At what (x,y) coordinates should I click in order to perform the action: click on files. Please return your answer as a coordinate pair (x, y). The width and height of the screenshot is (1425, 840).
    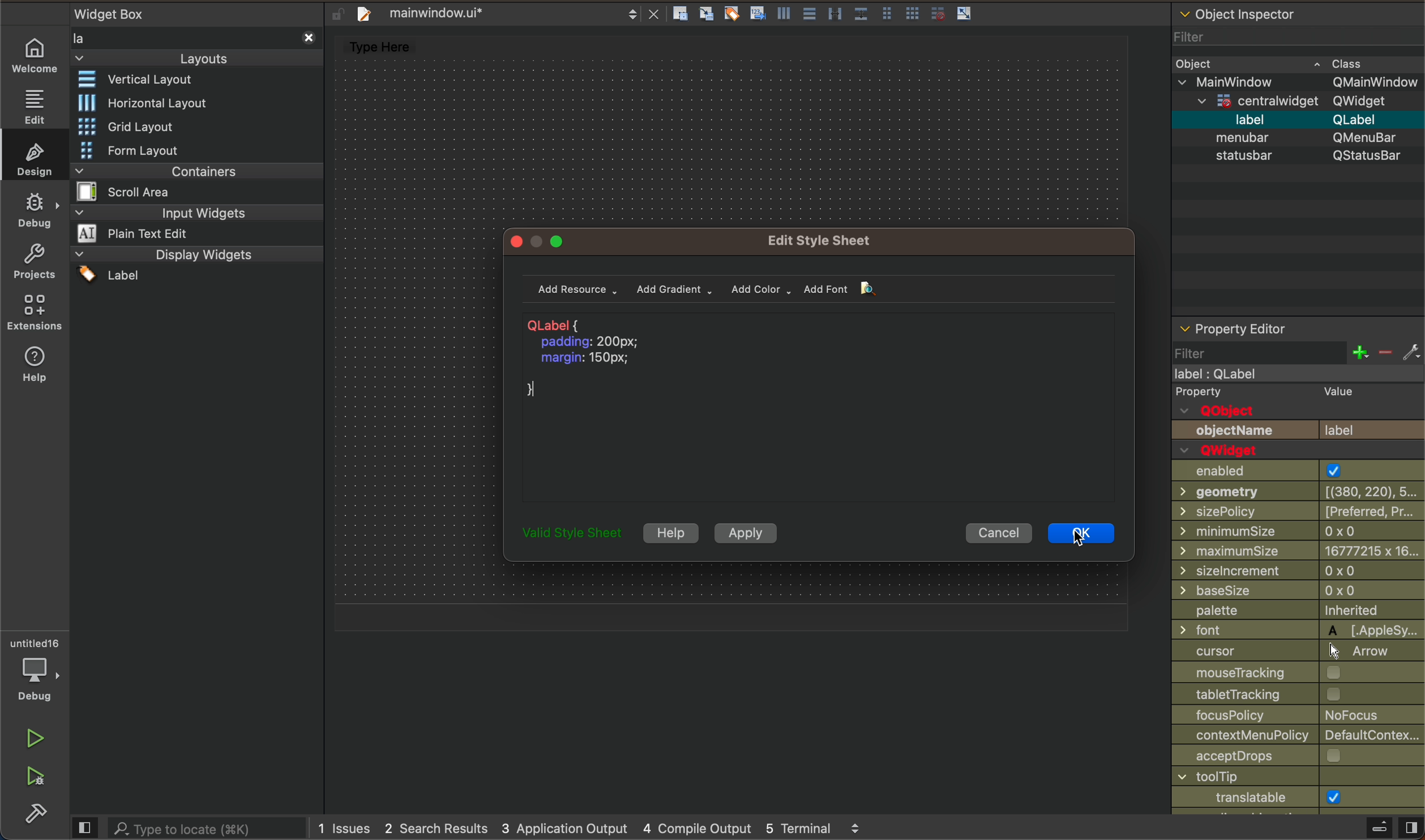
    Looking at the image, I should click on (829, 15).